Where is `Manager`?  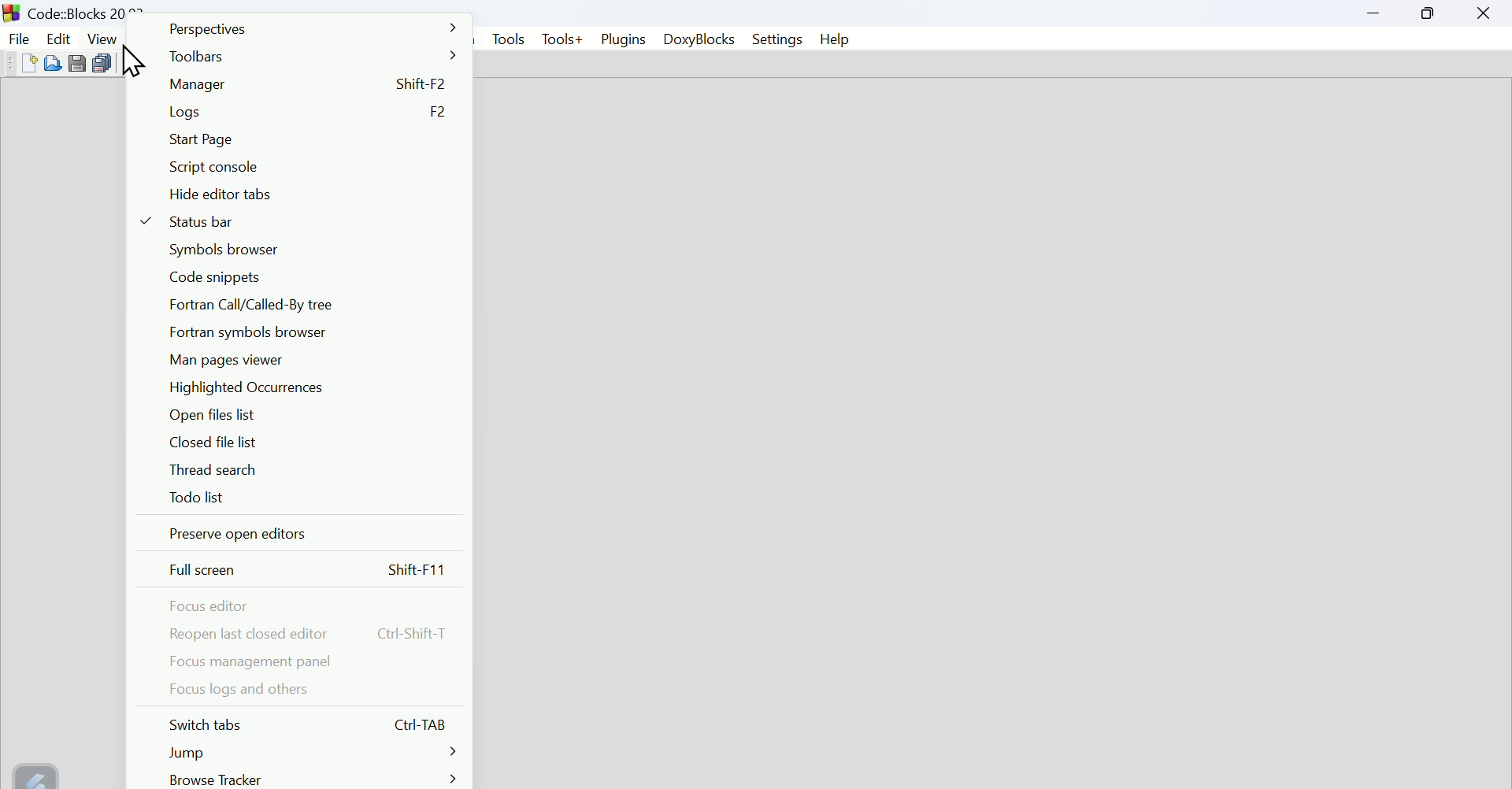 Manager is located at coordinates (306, 84).